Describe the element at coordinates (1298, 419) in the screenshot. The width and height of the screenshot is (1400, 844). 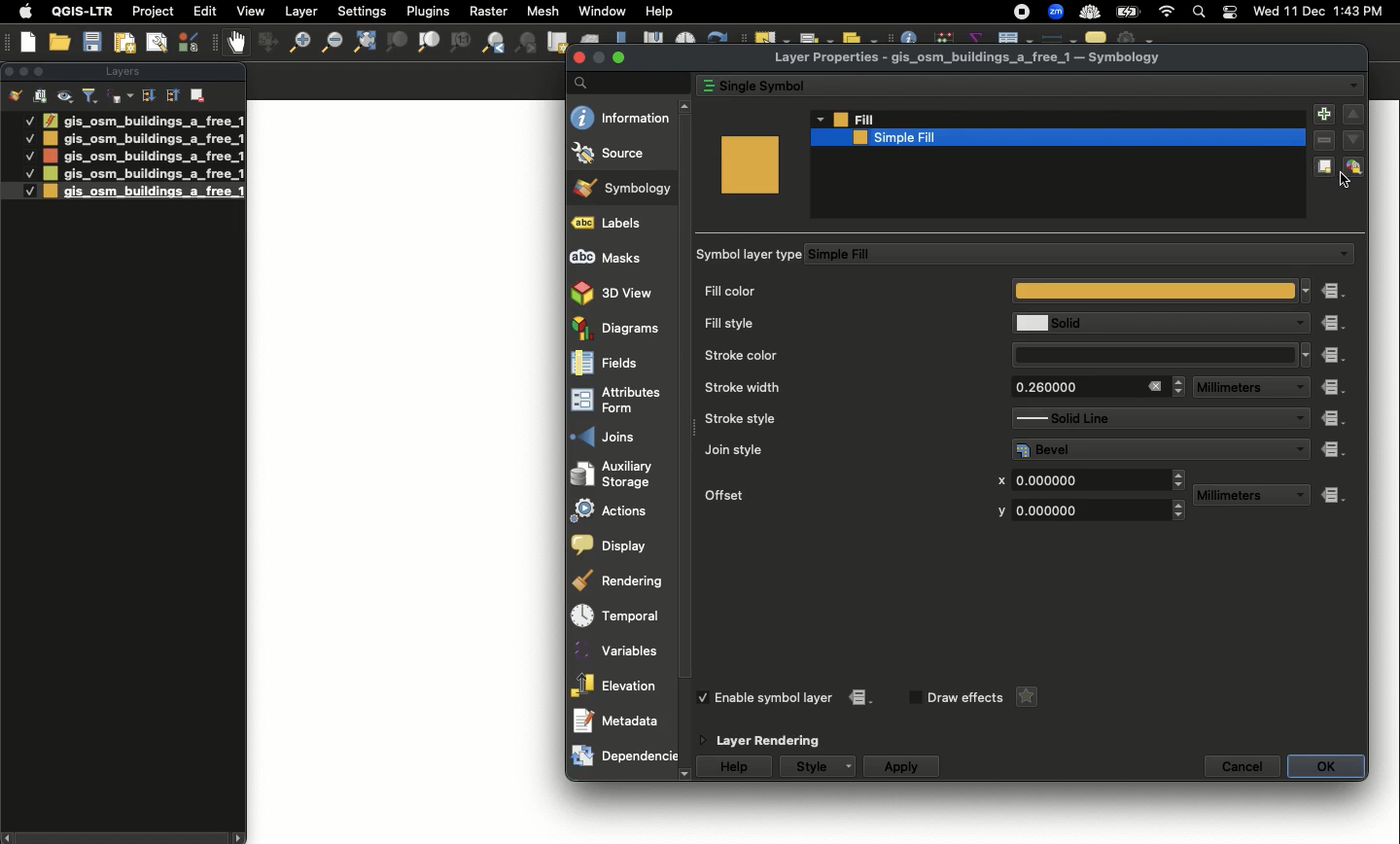
I see `Drop down` at that location.